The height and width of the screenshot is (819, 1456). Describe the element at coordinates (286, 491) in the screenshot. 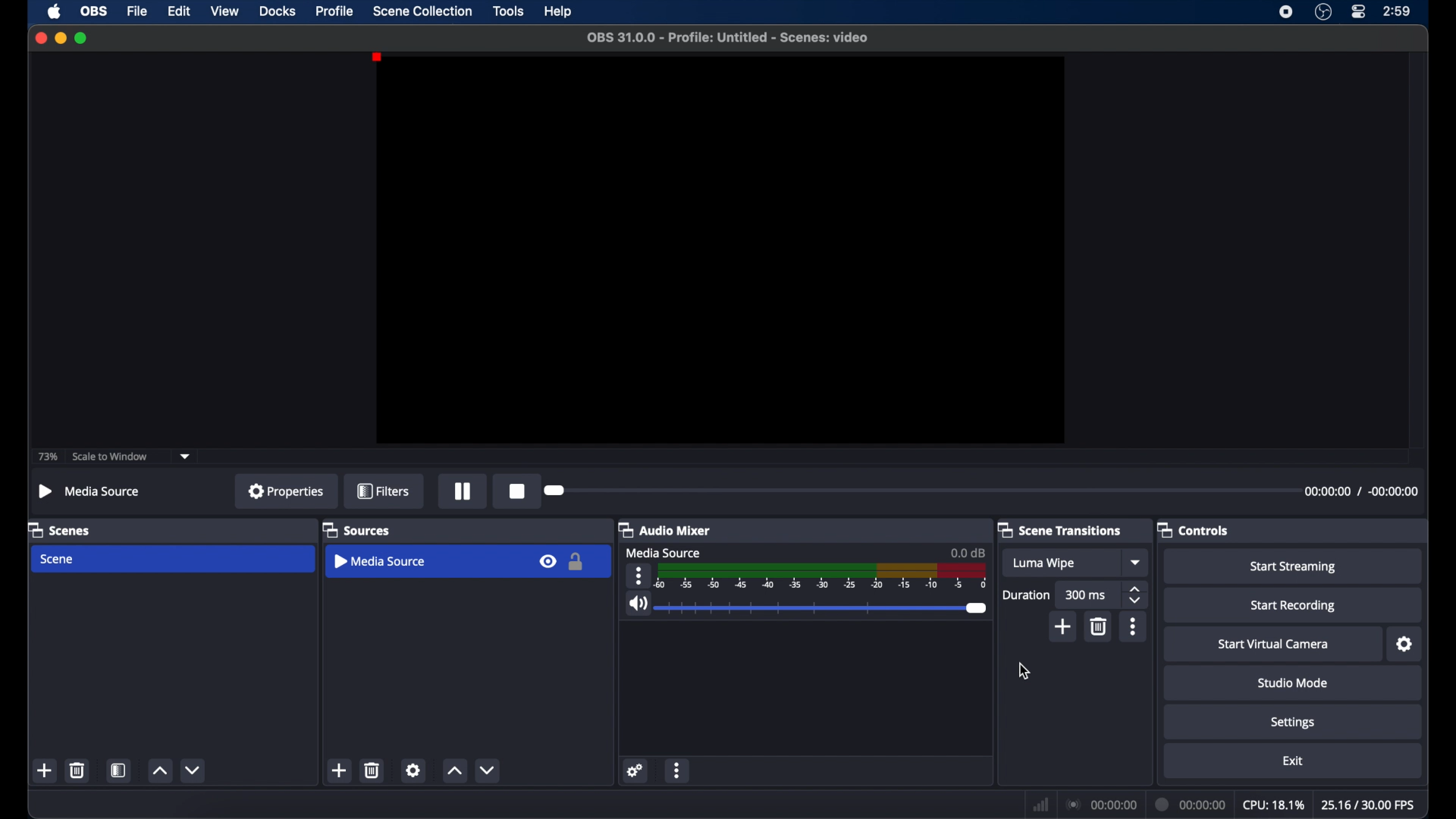

I see `properties` at that location.